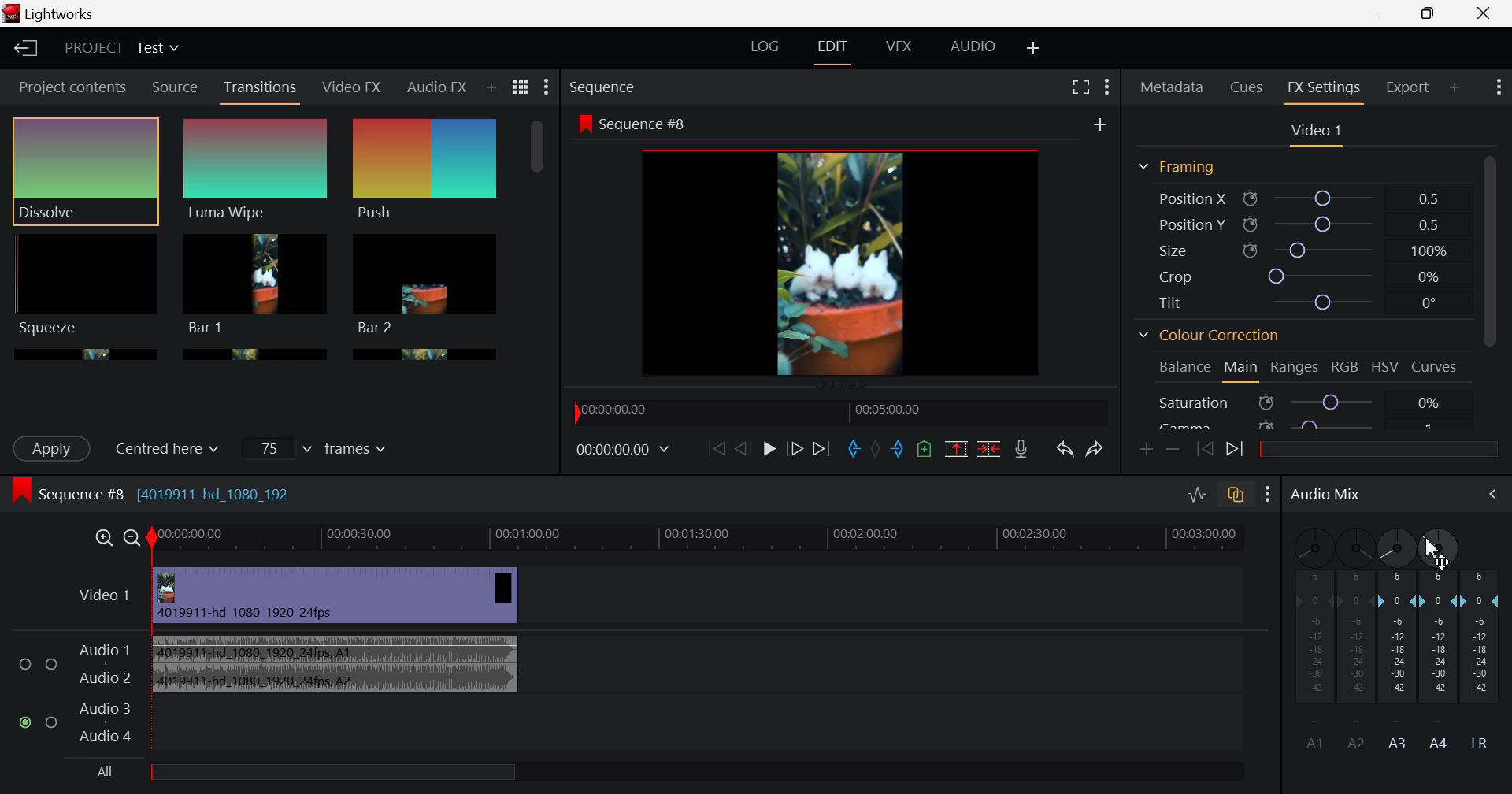 This screenshot has width=1512, height=794. What do you see at coordinates (1214, 334) in the screenshot?
I see `Colour Correction` at bounding box center [1214, 334].